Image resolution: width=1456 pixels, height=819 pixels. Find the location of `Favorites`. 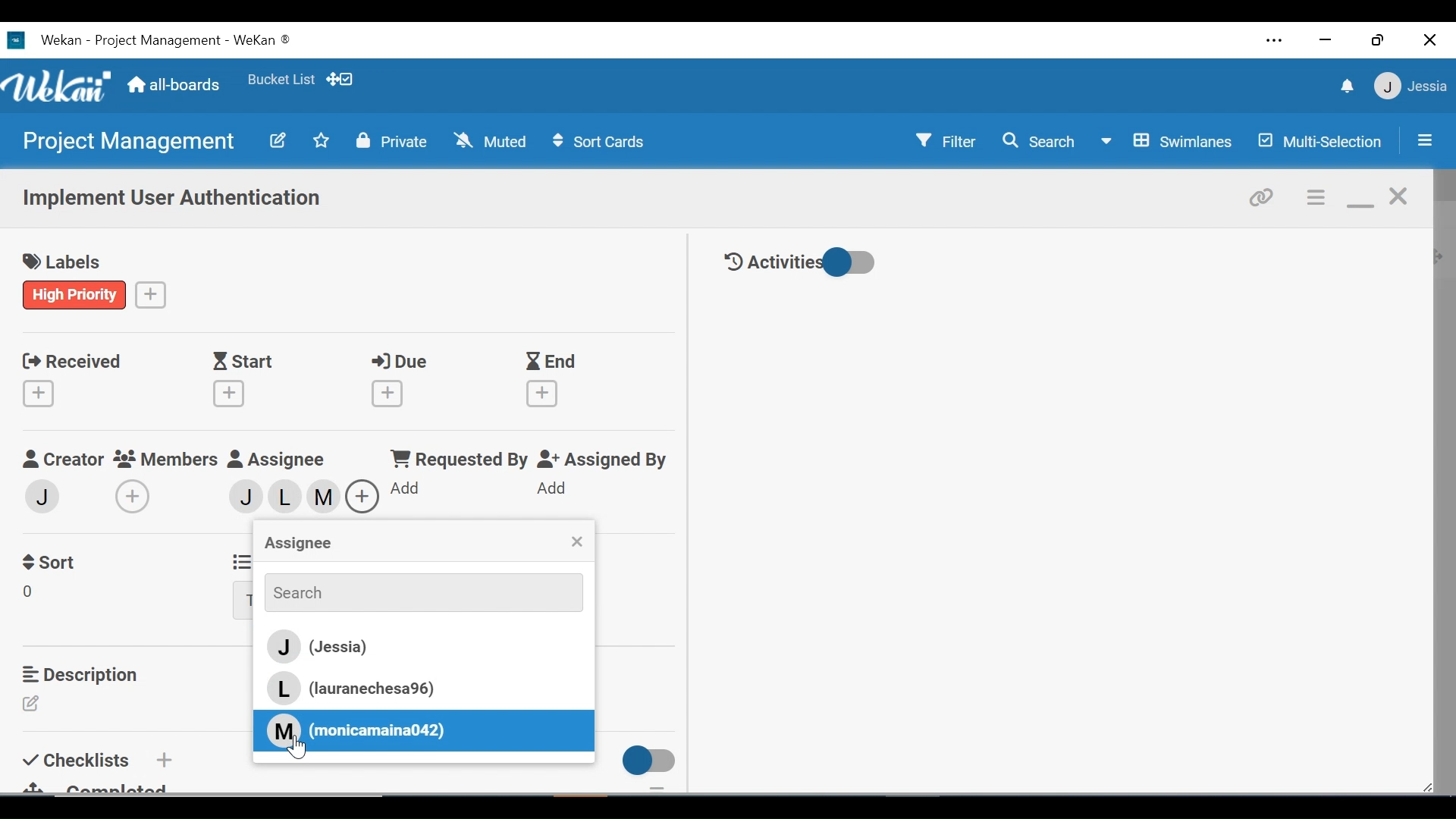

Favorites is located at coordinates (322, 140).